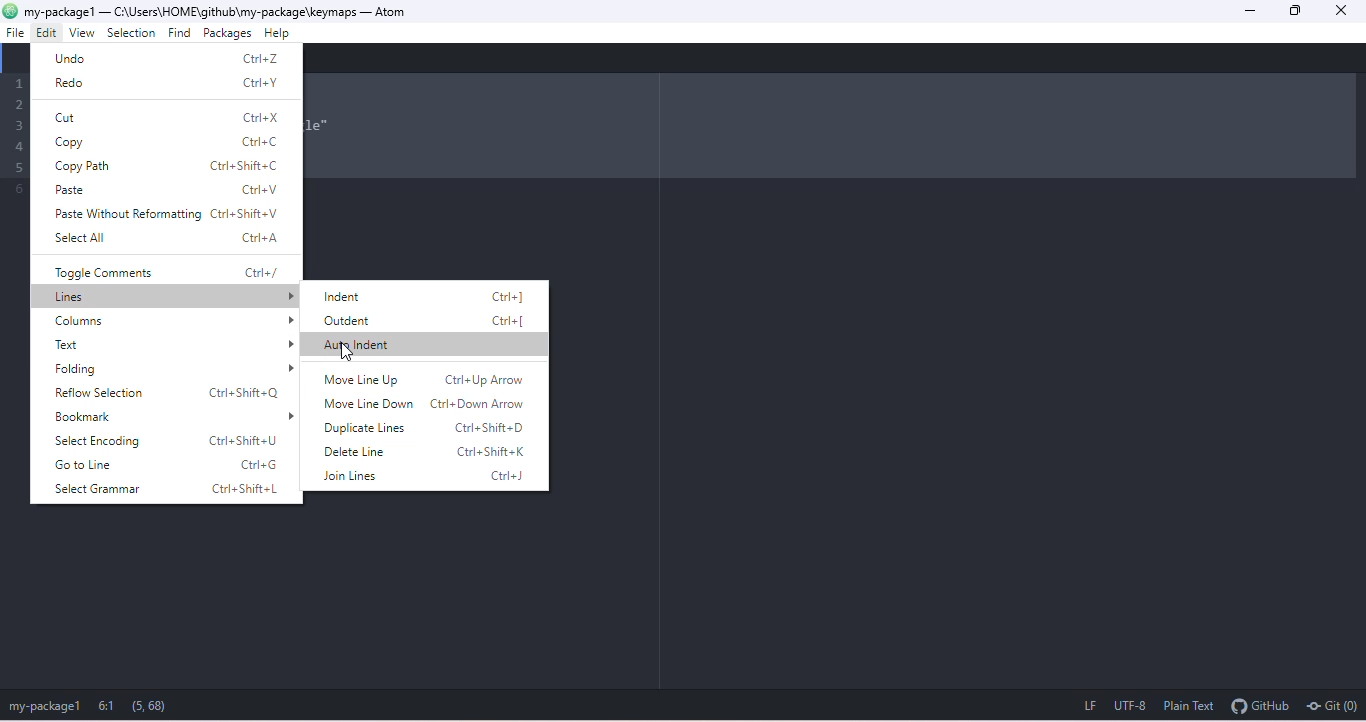  I want to click on select option, so click(424, 347).